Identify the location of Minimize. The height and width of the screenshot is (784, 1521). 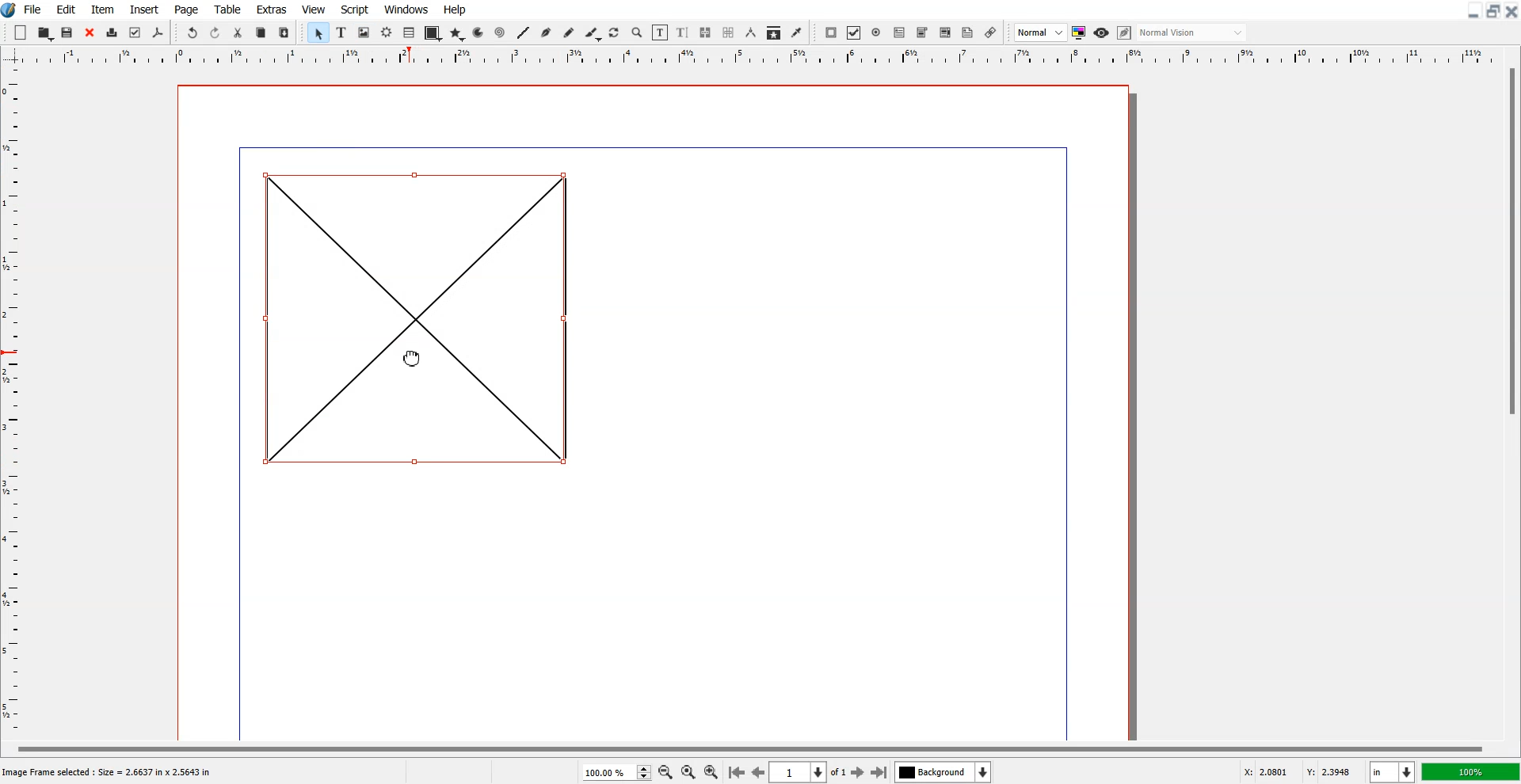
(1472, 11).